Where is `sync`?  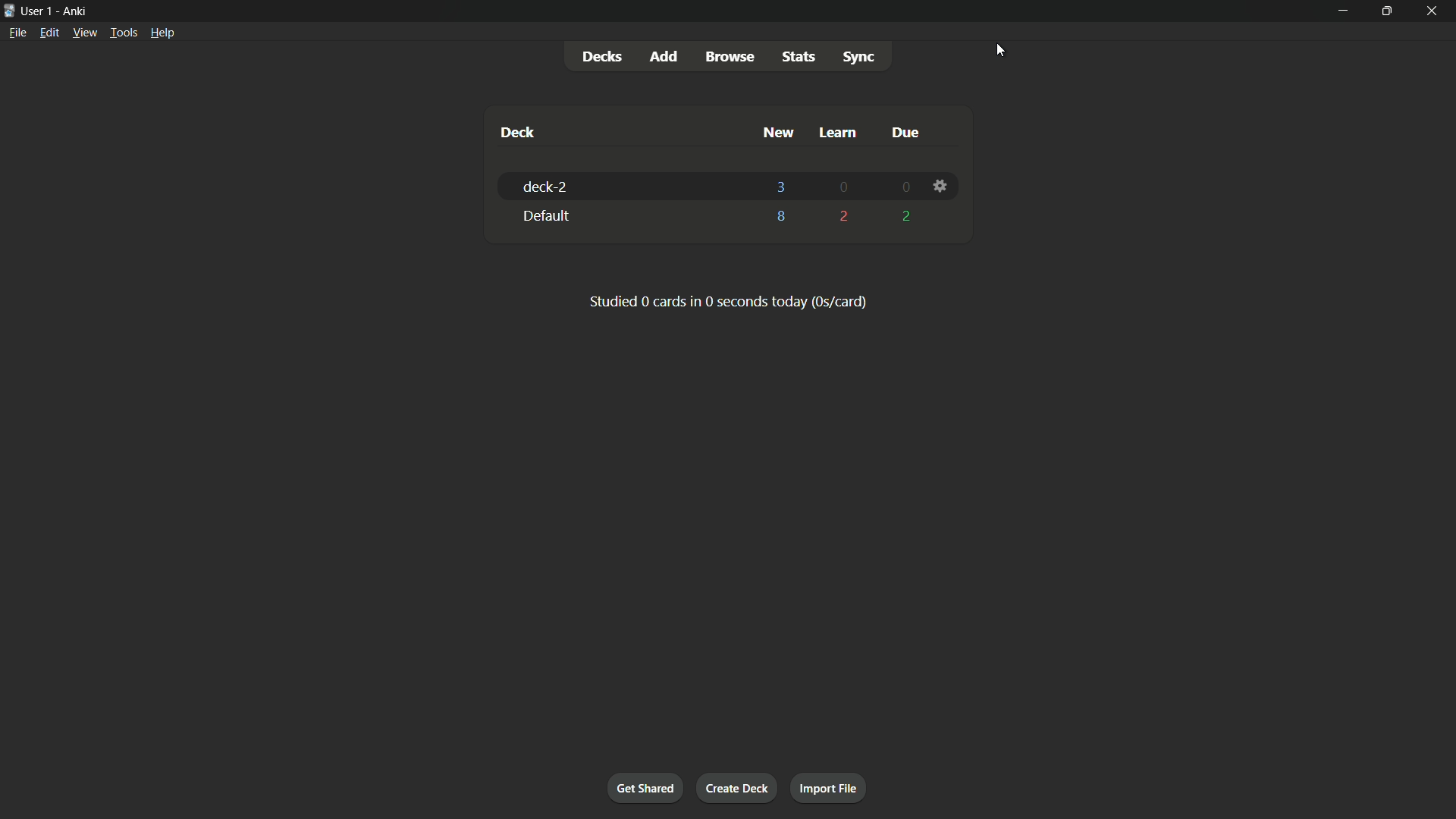
sync is located at coordinates (859, 58).